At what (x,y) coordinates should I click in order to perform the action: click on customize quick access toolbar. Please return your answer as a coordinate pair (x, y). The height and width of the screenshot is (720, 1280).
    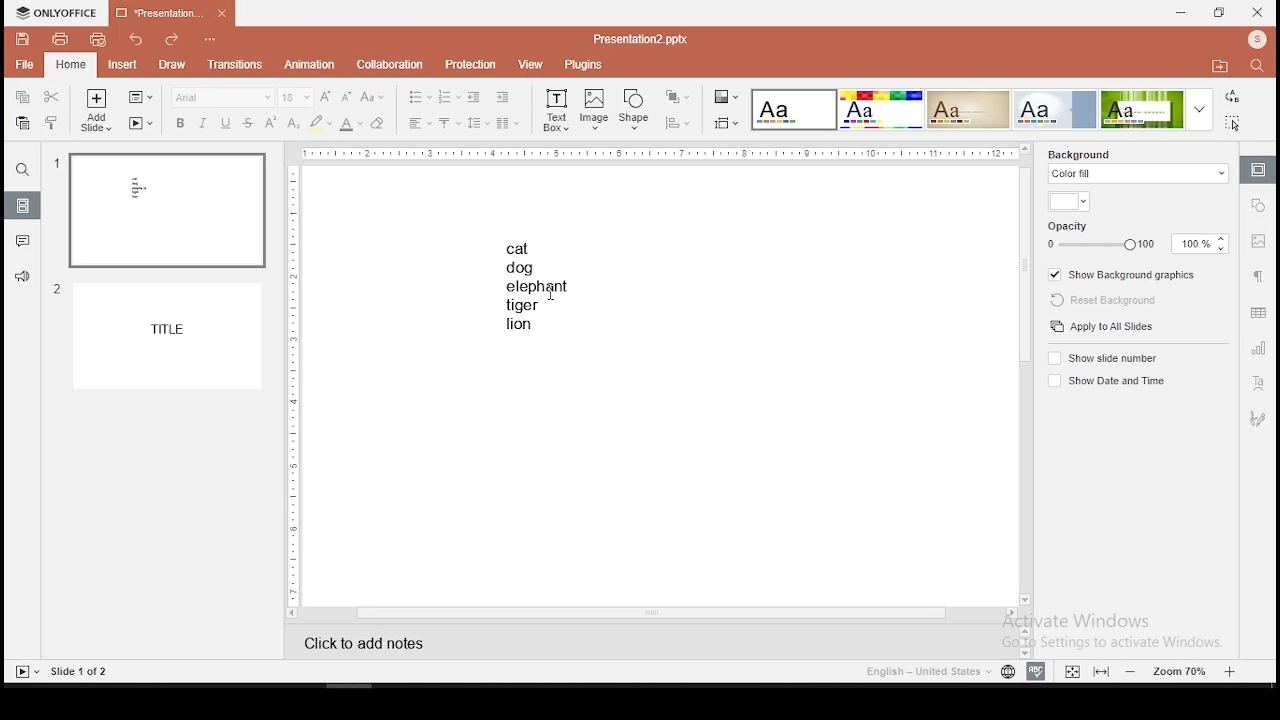
    Looking at the image, I should click on (216, 39).